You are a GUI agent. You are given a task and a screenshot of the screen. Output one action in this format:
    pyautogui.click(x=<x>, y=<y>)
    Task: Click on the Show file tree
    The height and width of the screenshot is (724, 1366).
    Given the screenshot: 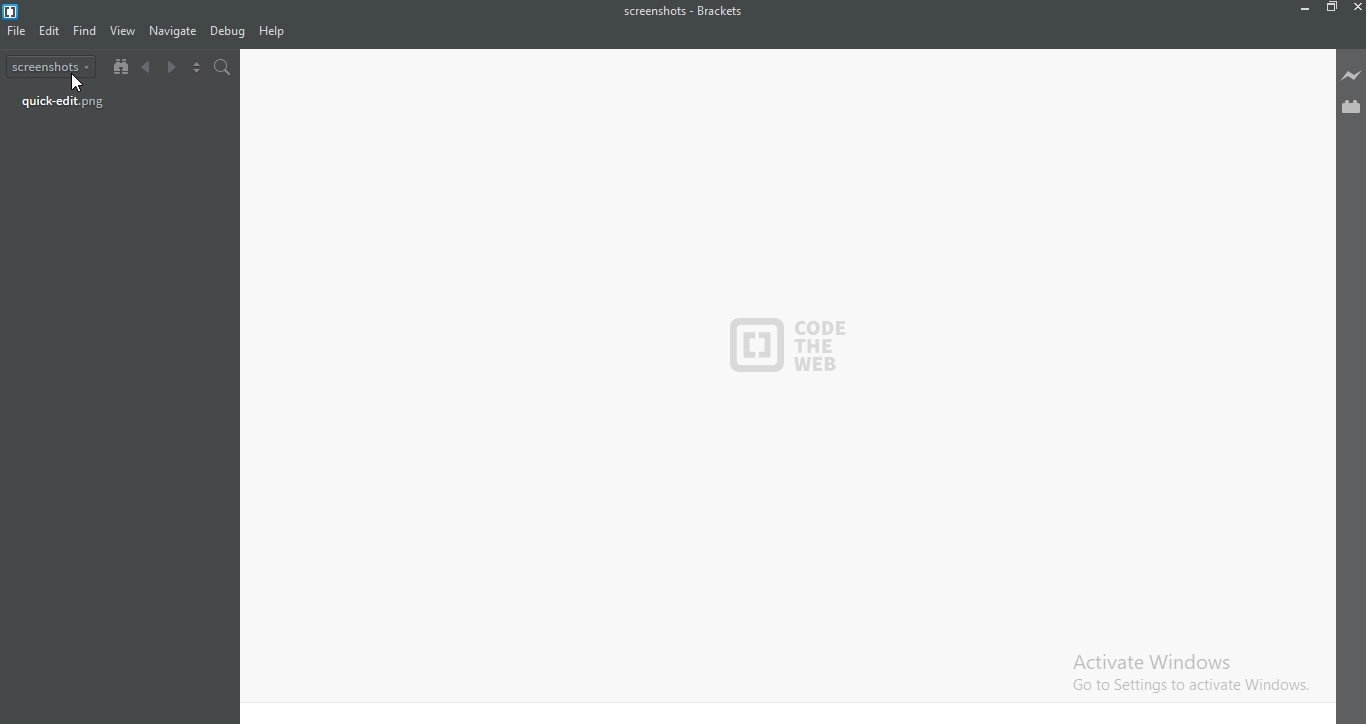 What is the action you would take?
    pyautogui.click(x=119, y=68)
    